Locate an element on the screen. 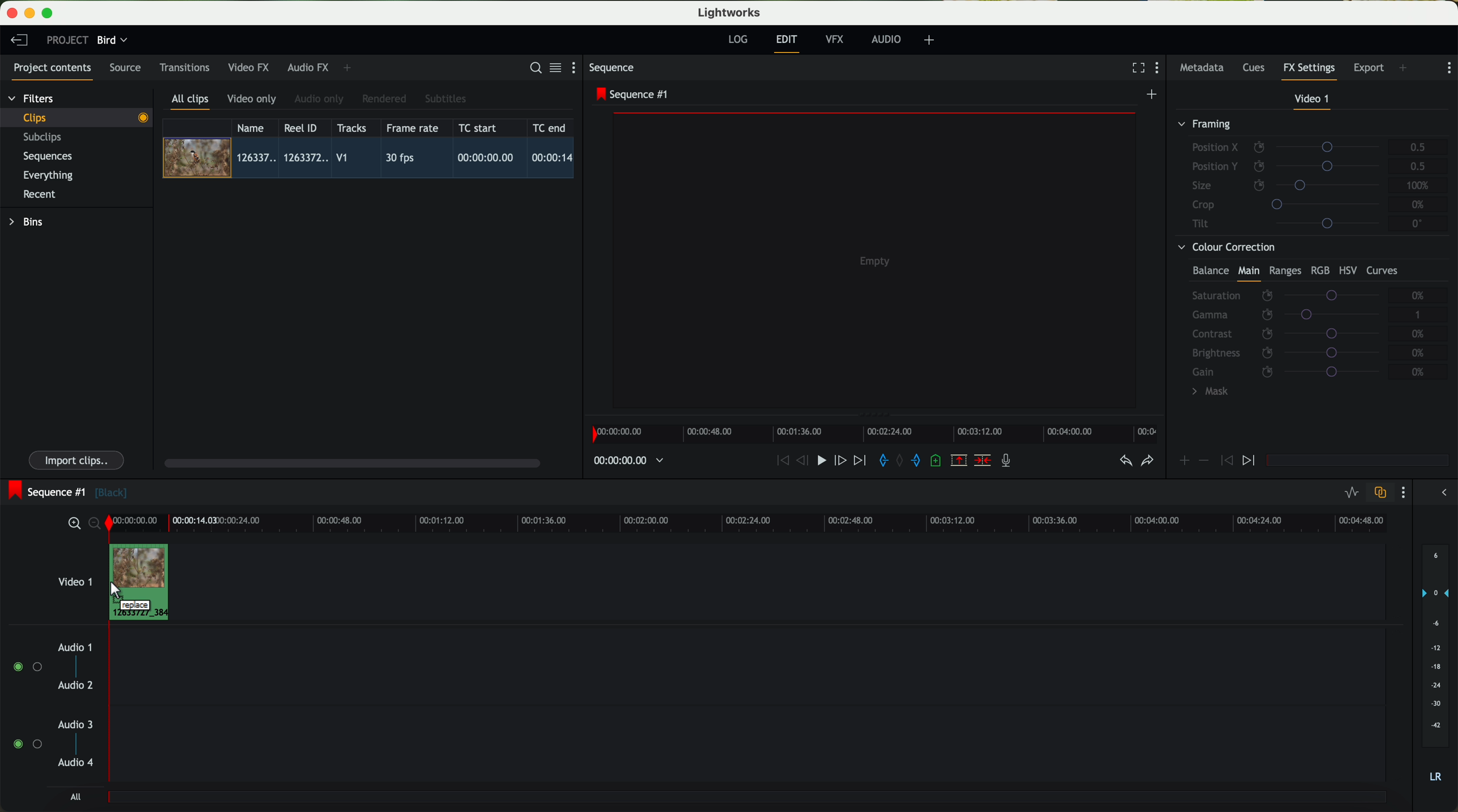  maximize program is located at coordinates (49, 14).